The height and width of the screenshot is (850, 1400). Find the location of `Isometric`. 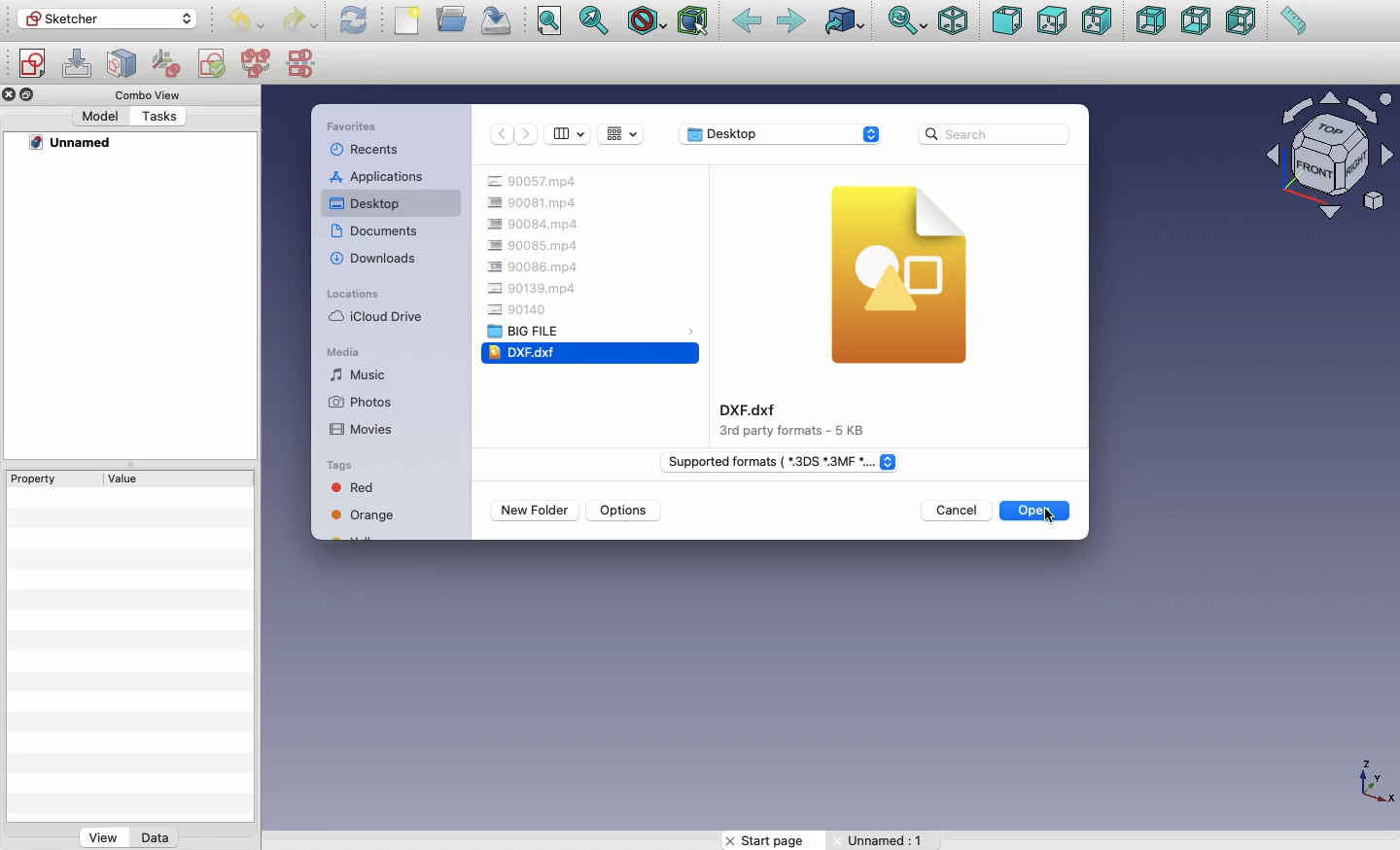

Isometric is located at coordinates (952, 21).